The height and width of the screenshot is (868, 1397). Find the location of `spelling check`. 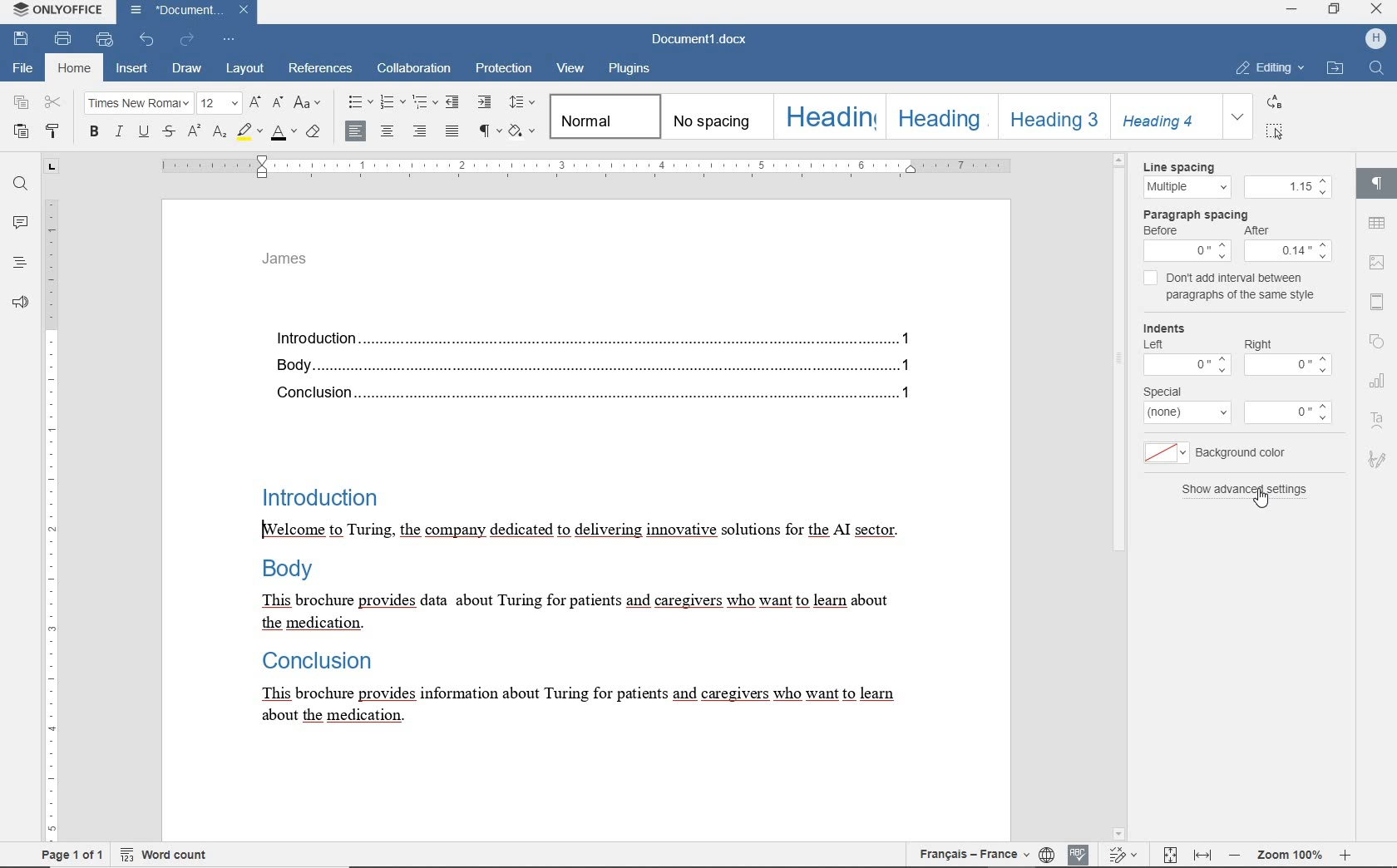

spelling check is located at coordinates (1078, 854).